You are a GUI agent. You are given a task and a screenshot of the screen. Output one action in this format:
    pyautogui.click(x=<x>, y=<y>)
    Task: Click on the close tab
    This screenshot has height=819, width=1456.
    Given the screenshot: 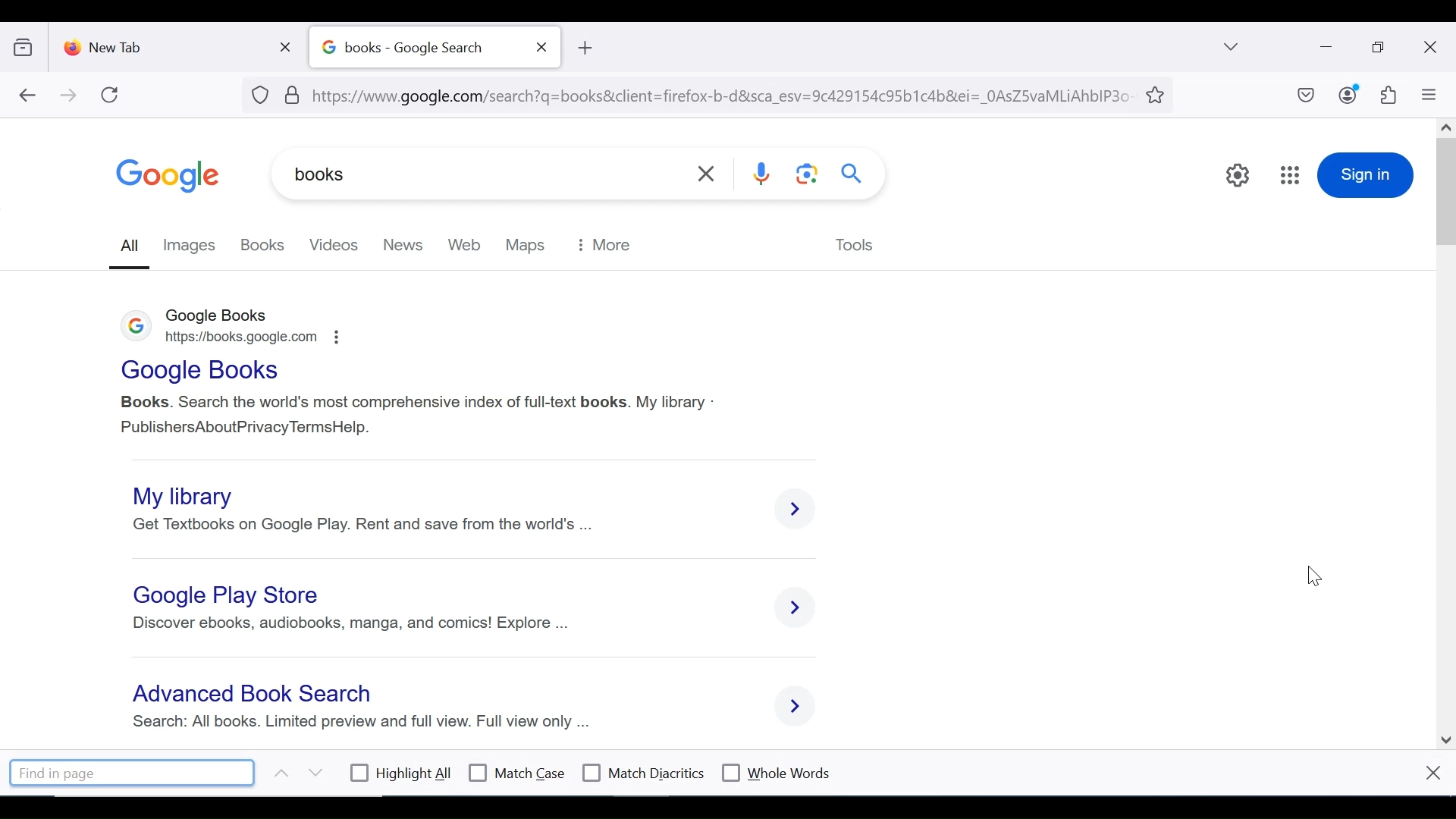 What is the action you would take?
    pyautogui.click(x=542, y=47)
    